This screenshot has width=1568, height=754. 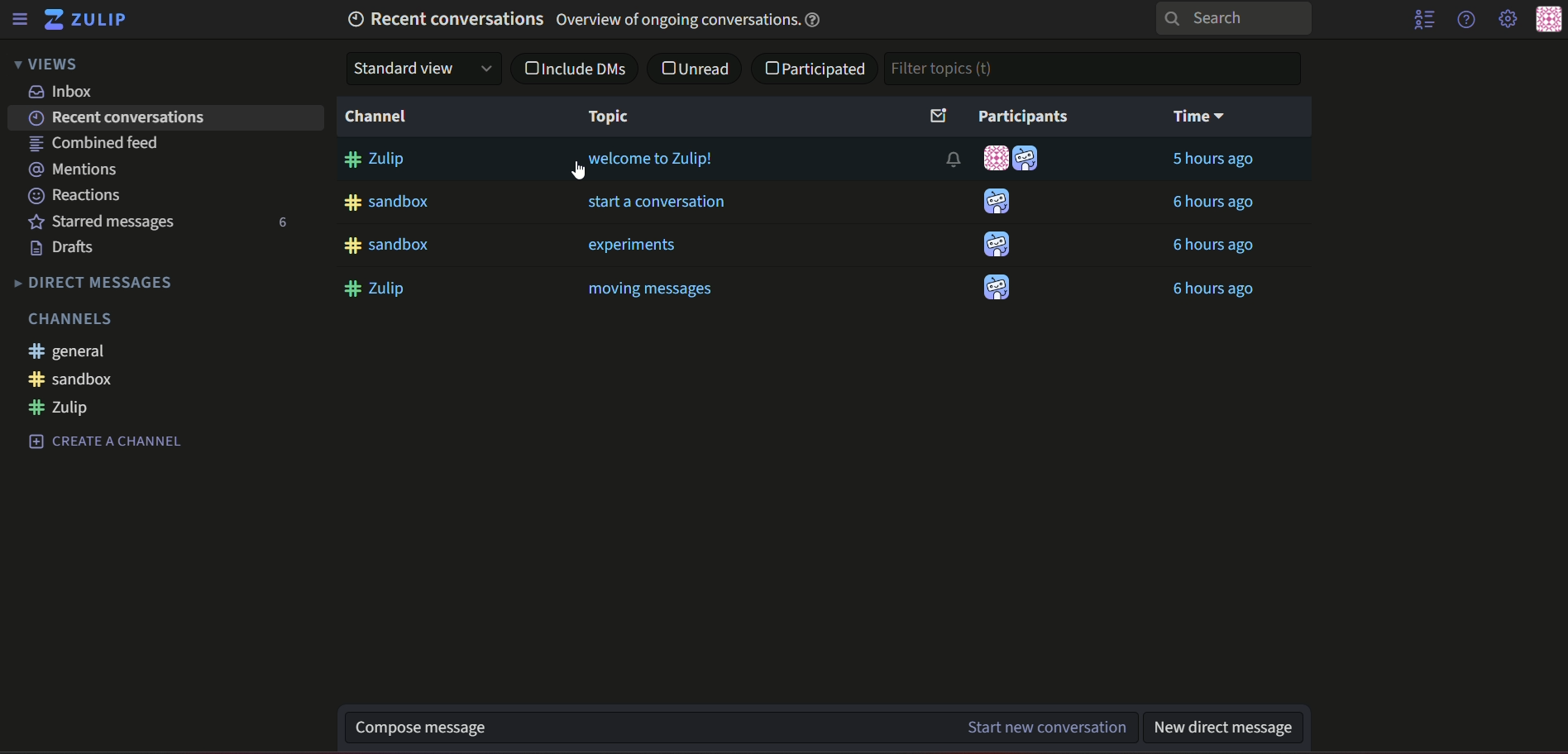 What do you see at coordinates (74, 167) in the screenshot?
I see `Mentions` at bounding box center [74, 167].